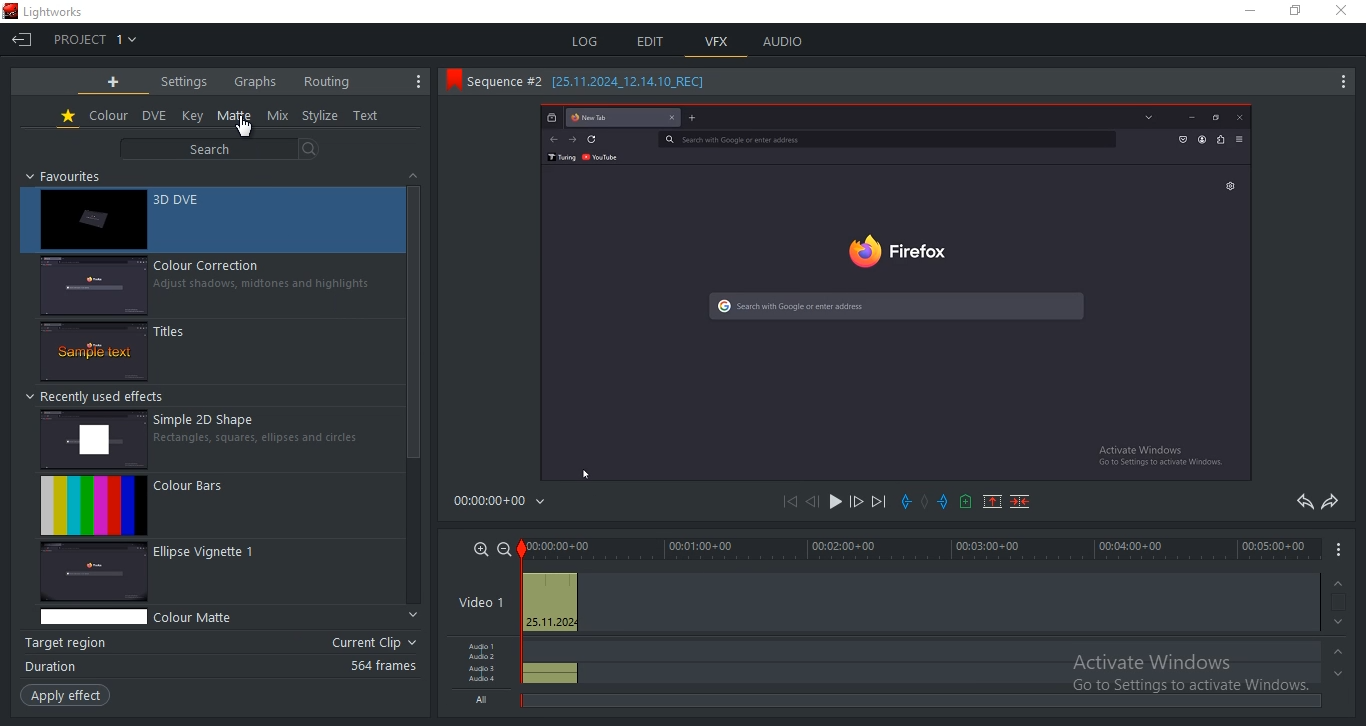  What do you see at coordinates (1343, 549) in the screenshot?
I see `options` at bounding box center [1343, 549].